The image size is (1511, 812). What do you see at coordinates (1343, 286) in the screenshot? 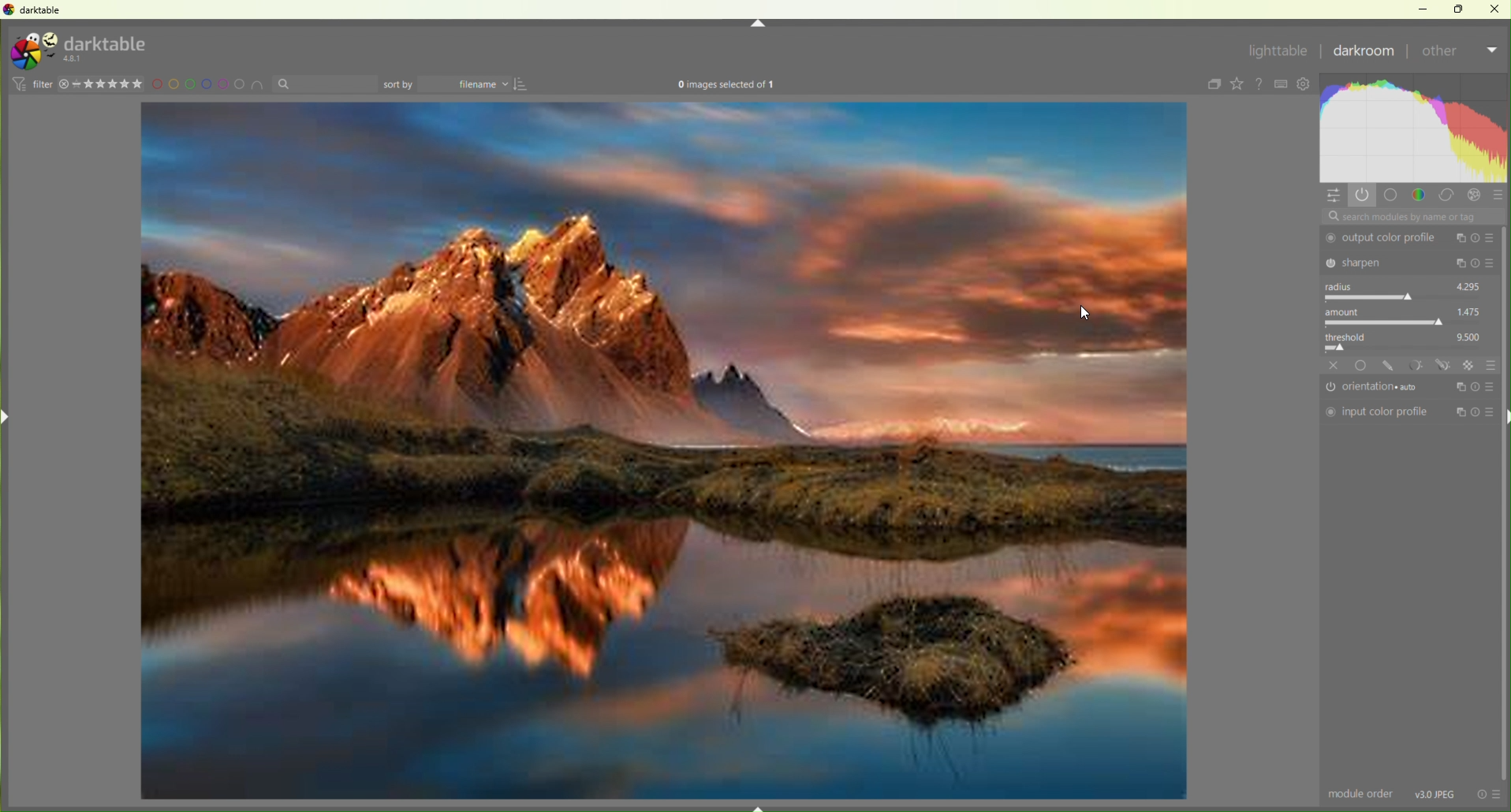
I see `radius` at bounding box center [1343, 286].